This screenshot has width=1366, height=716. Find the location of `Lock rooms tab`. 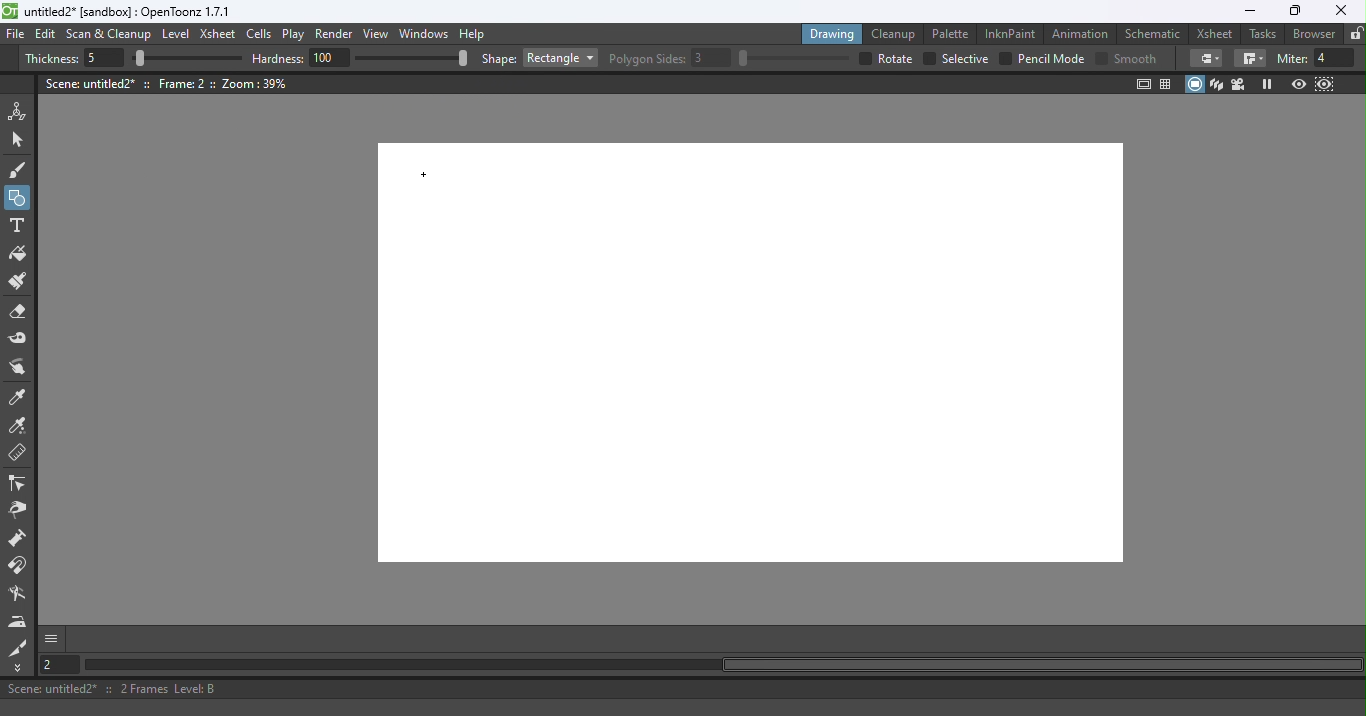

Lock rooms tab is located at coordinates (1356, 35).